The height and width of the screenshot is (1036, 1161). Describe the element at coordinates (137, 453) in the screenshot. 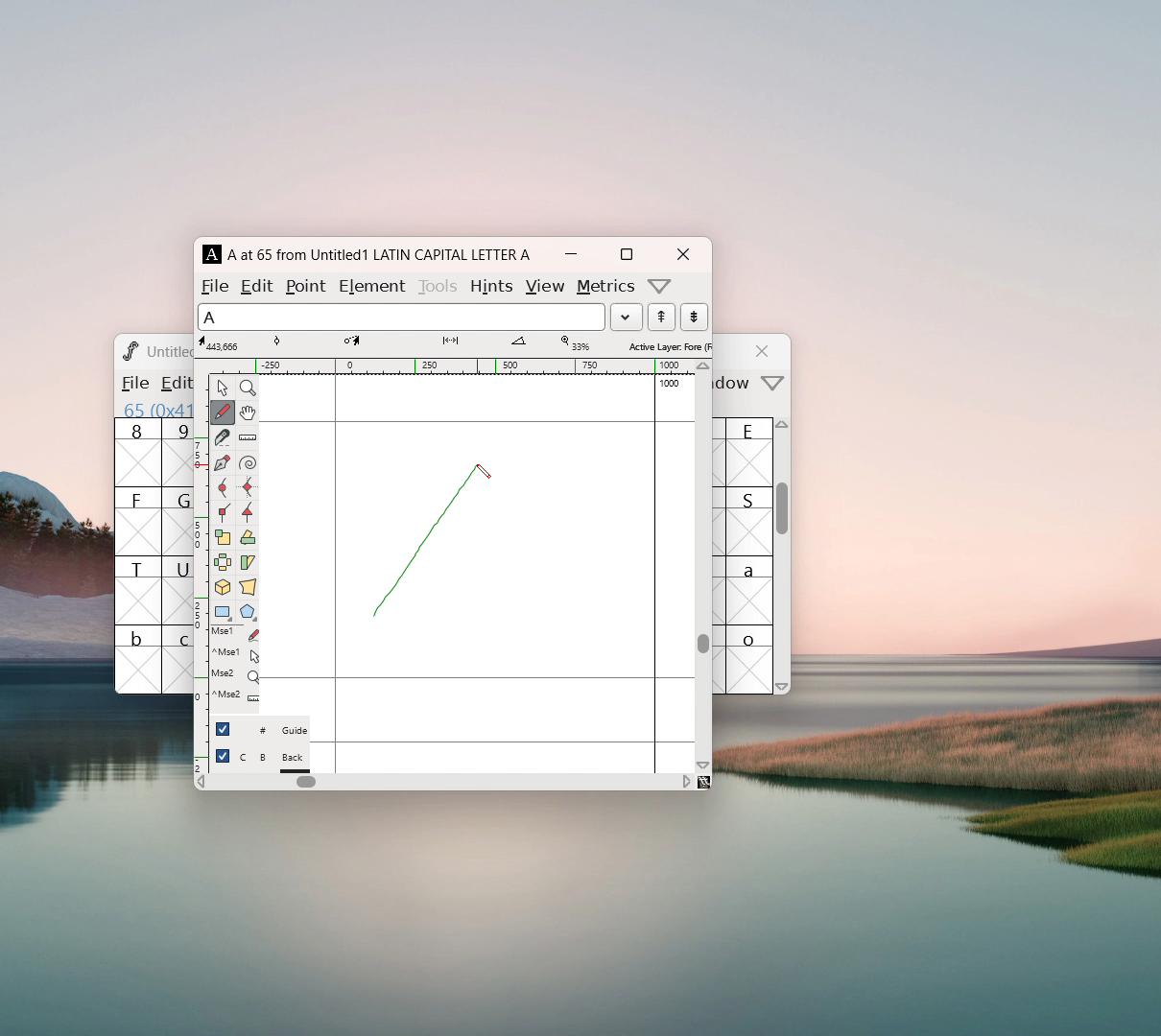

I see `8` at that location.